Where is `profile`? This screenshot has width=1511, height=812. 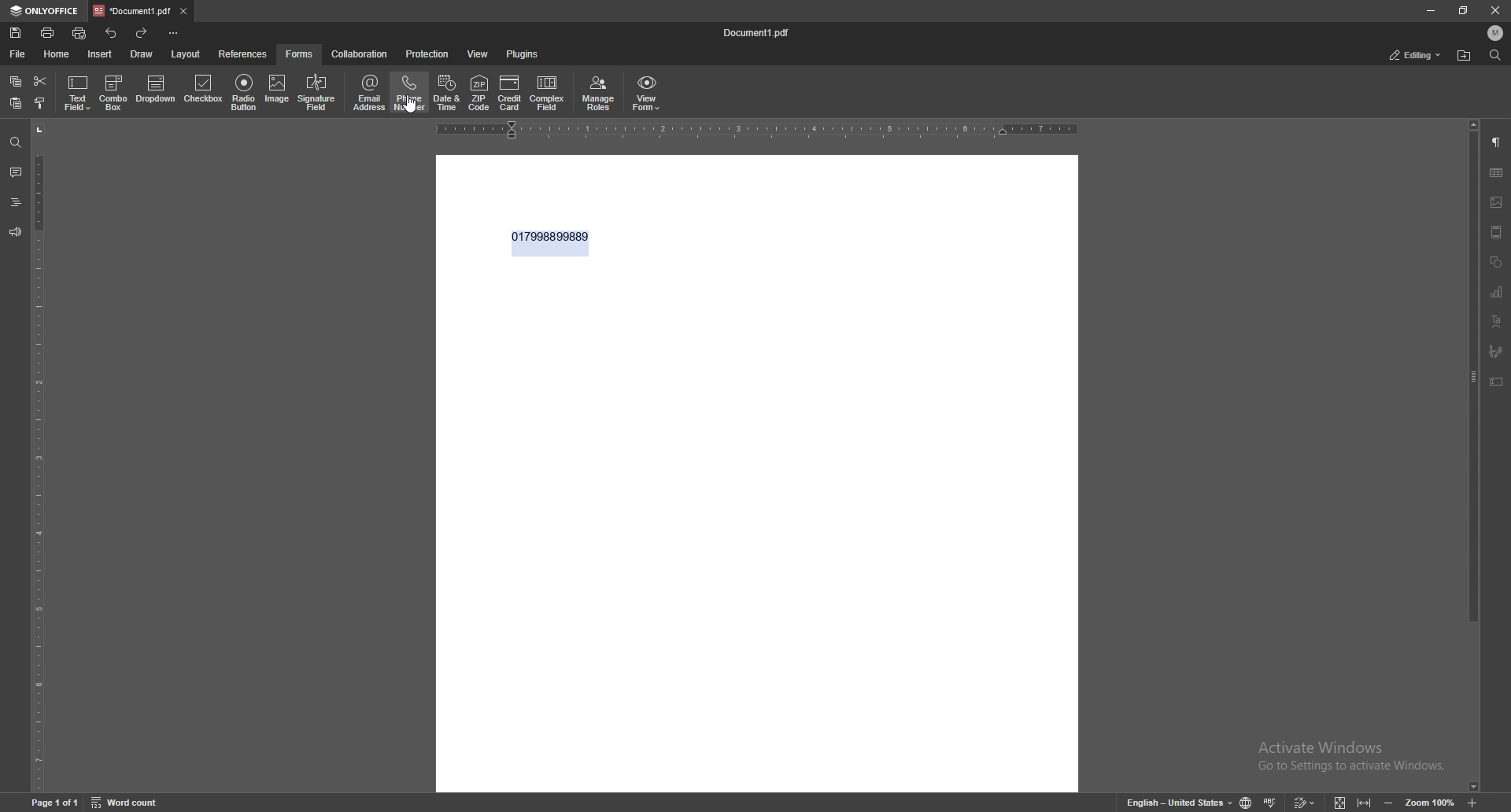
profile is located at coordinates (1495, 33).